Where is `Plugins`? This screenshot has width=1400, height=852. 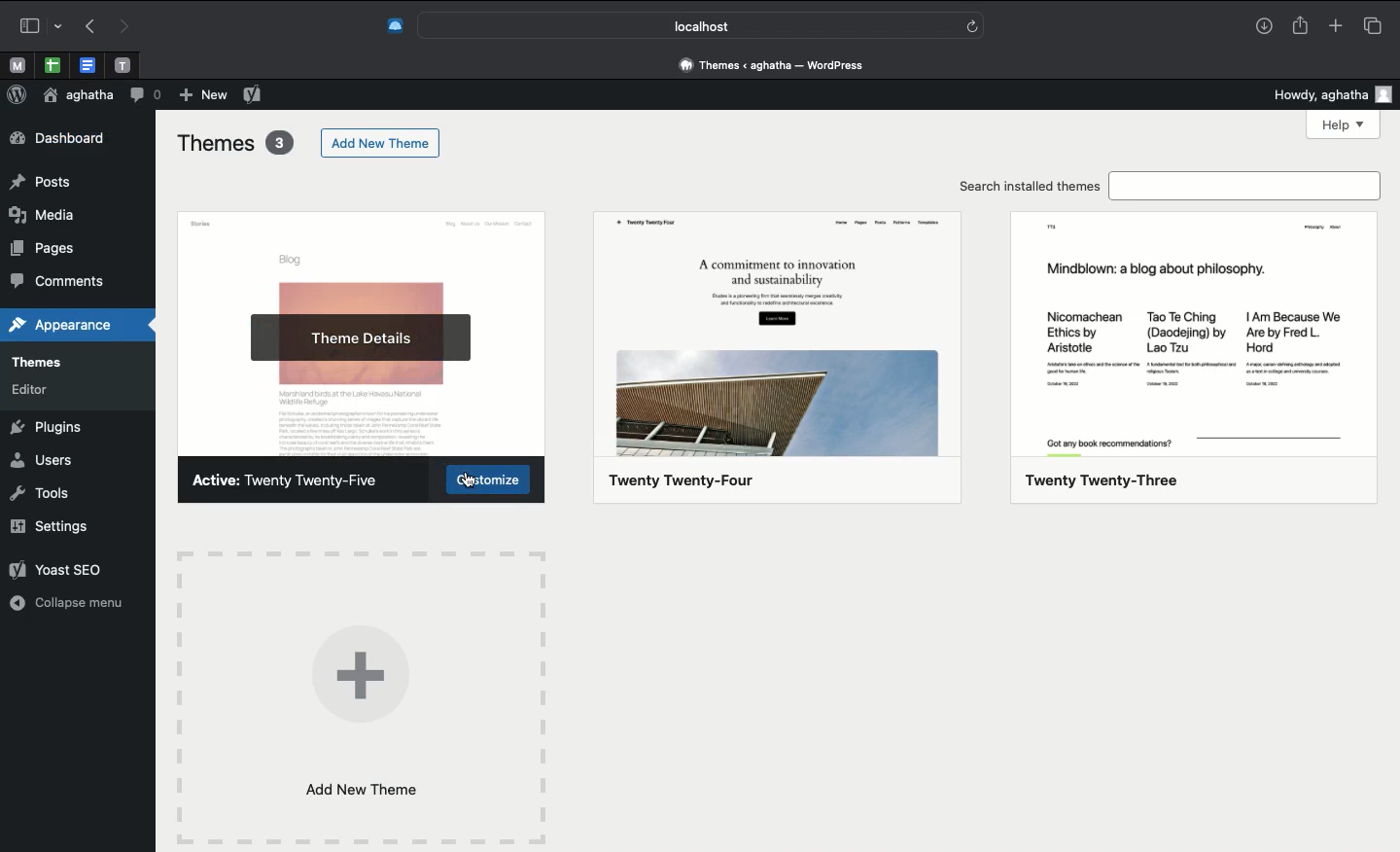 Plugins is located at coordinates (50, 430).